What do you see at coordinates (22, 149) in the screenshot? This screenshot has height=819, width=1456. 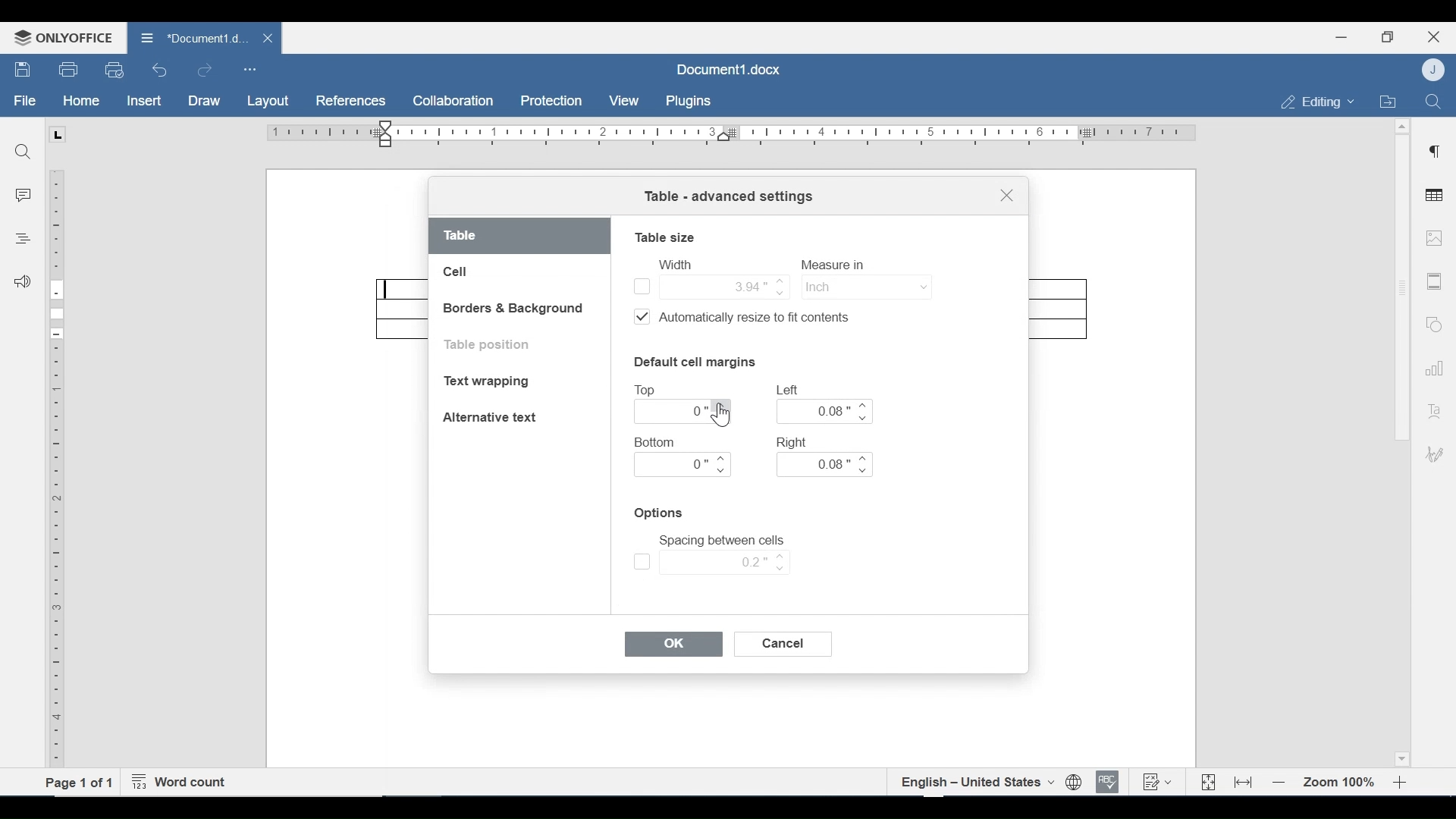 I see `Find` at bounding box center [22, 149].